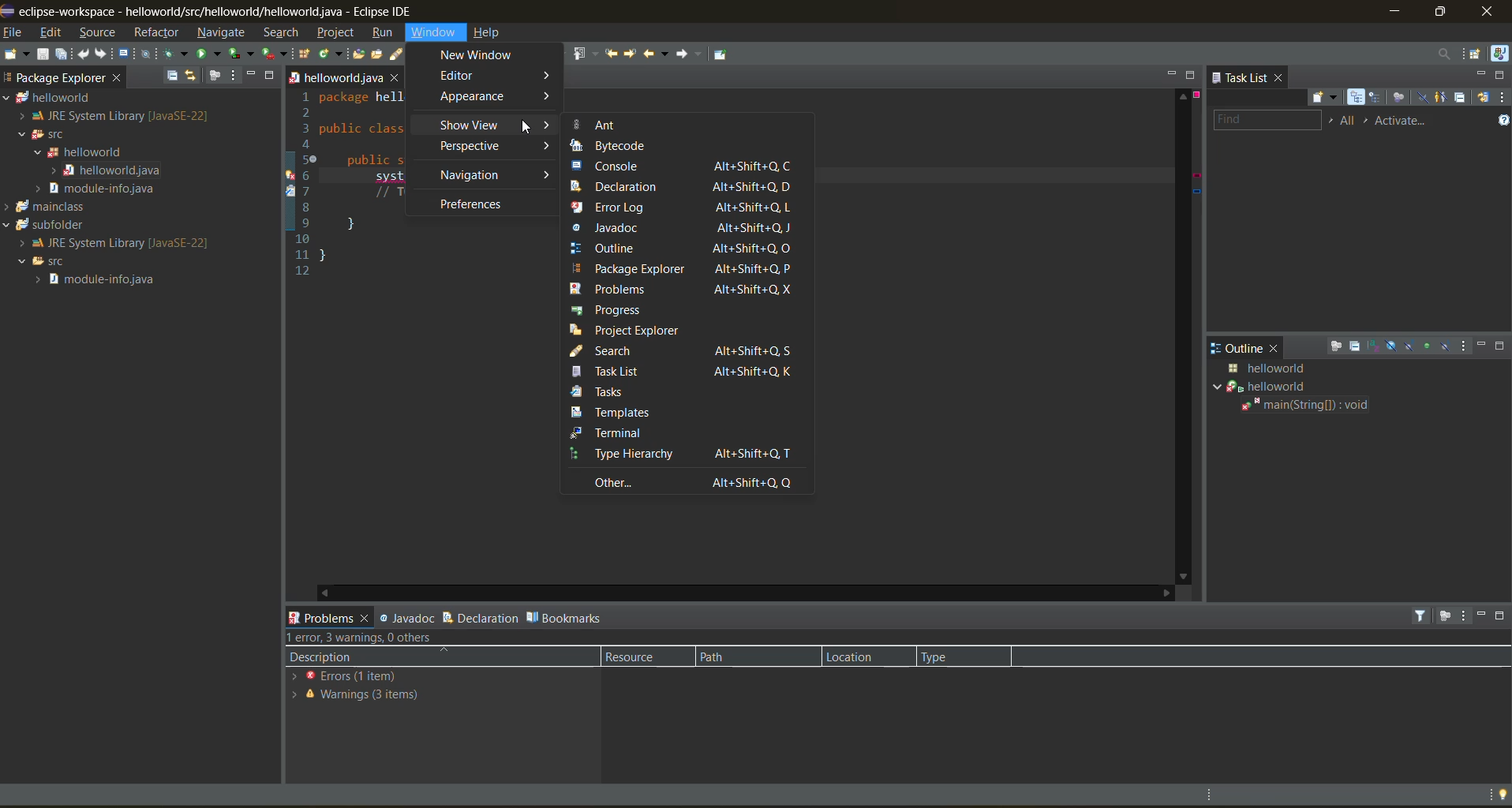  I want to click on view menu, so click(1503, 99).